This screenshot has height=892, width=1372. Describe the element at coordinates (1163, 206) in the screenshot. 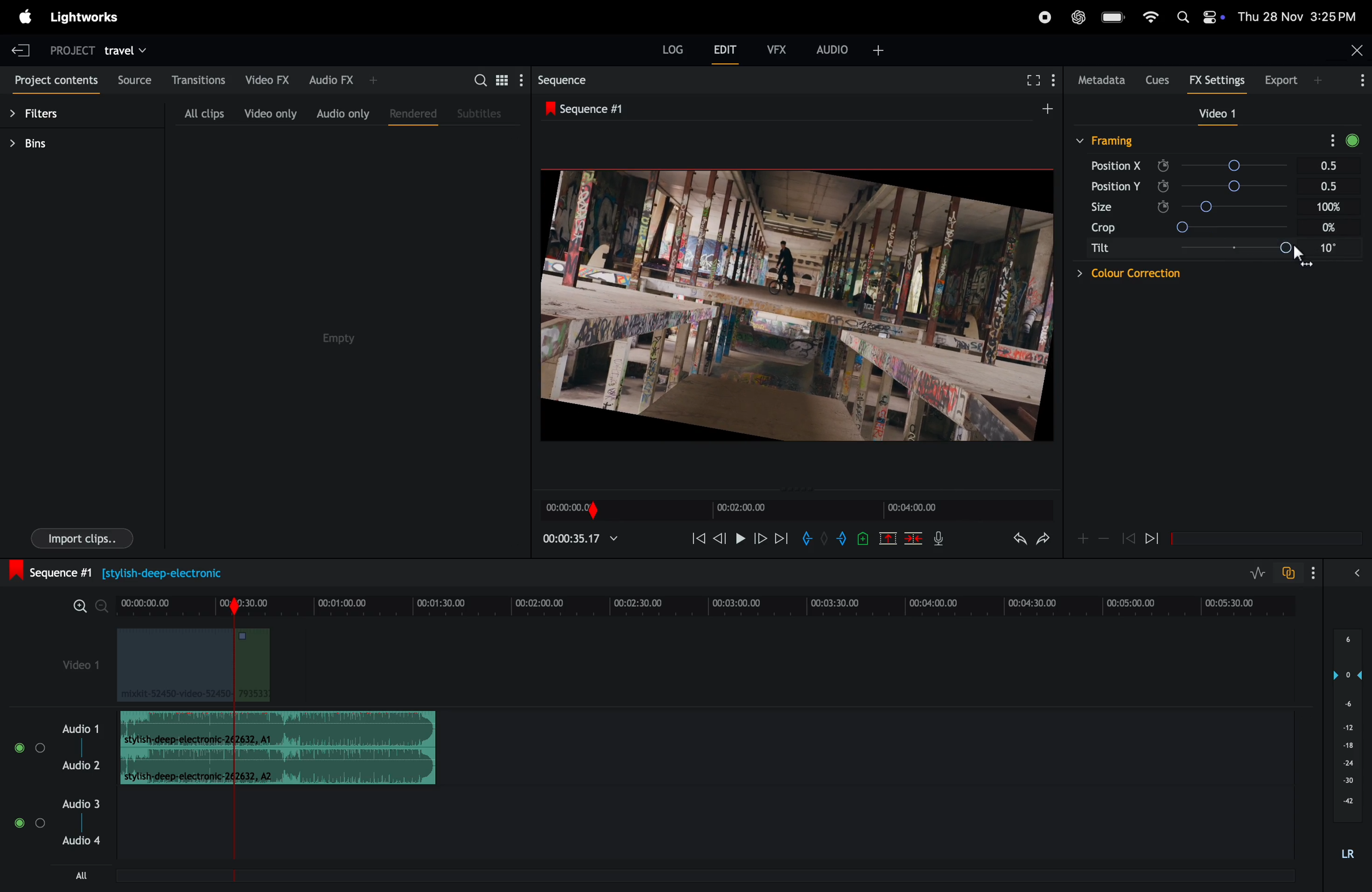

I see `Enable/Disable keyframe` at that location.